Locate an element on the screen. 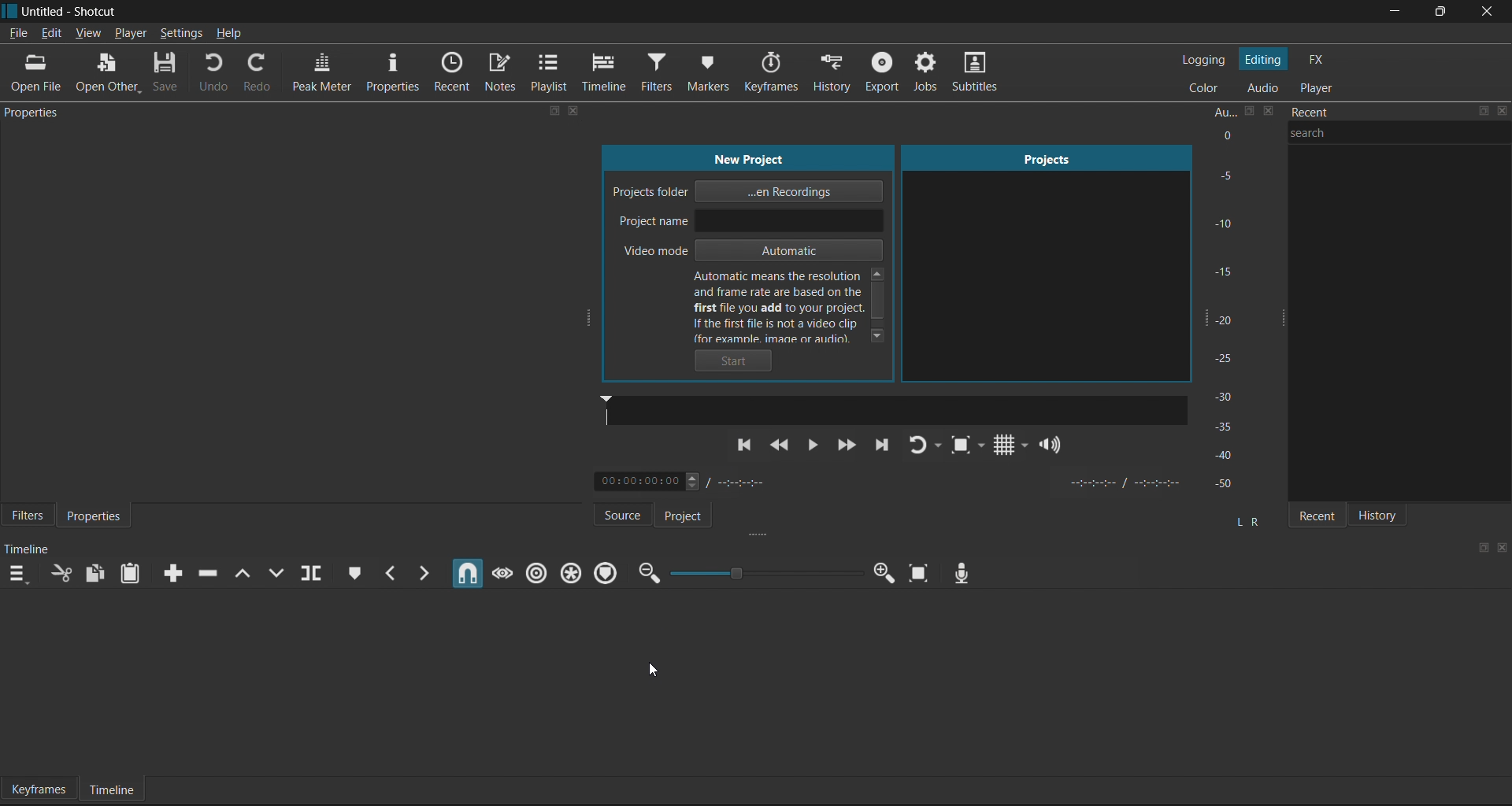 This screenshot has width=1512, height=806. new project  is located at coordinates (751, 157).